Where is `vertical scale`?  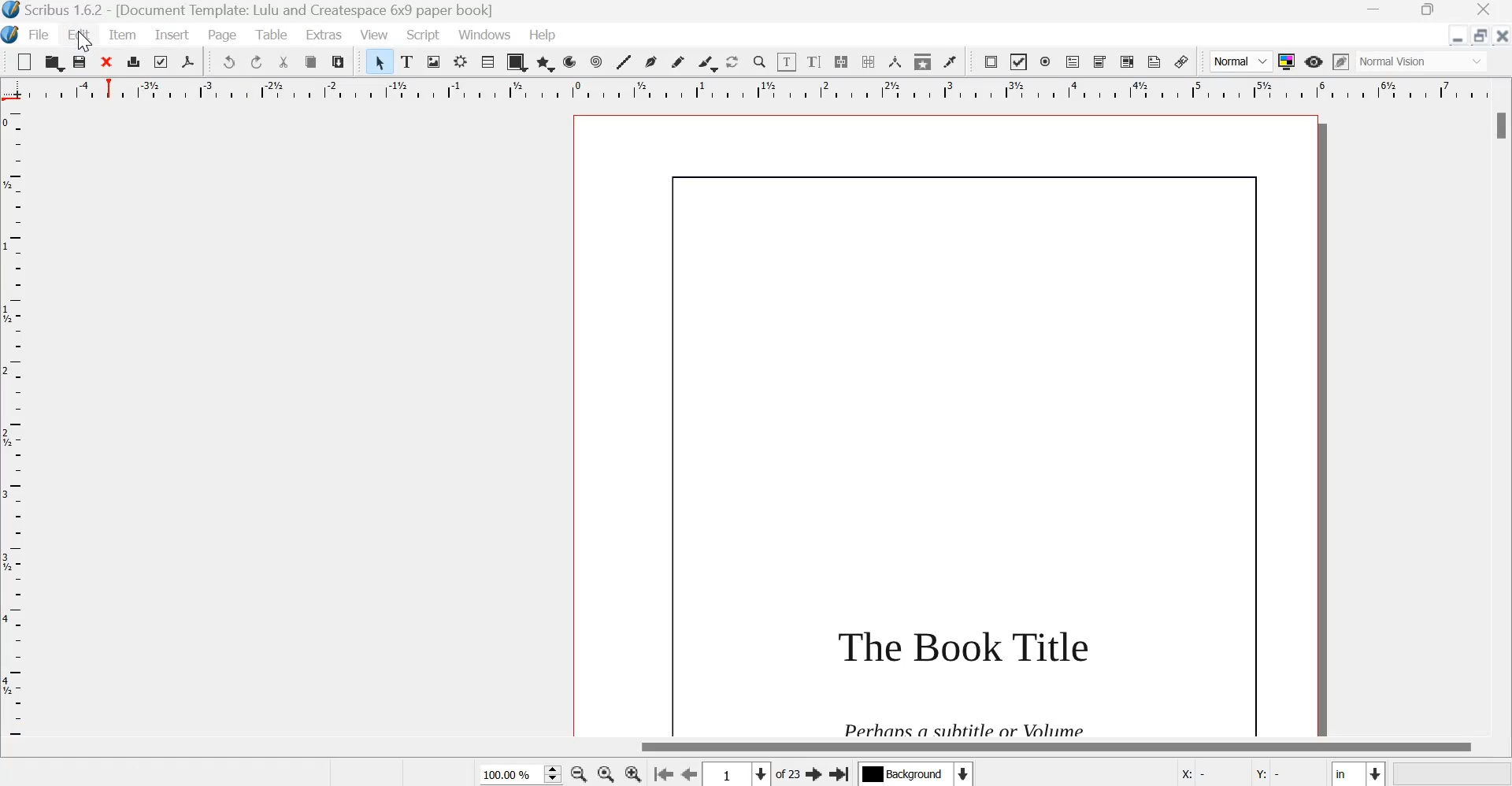
vertical scale is located at coordinates (16, 418).